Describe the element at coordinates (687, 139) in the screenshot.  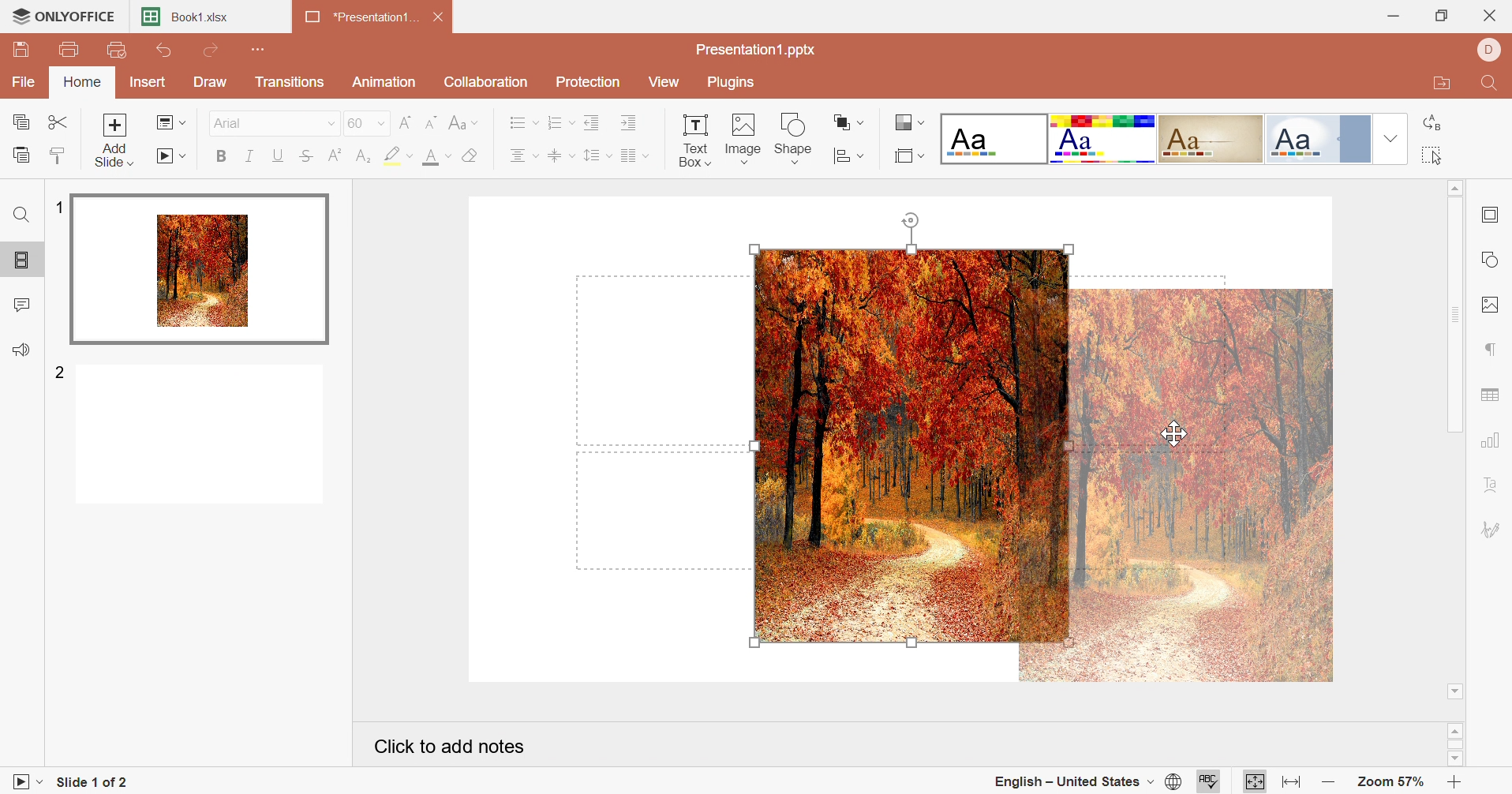
I see `Text Box` at that location.